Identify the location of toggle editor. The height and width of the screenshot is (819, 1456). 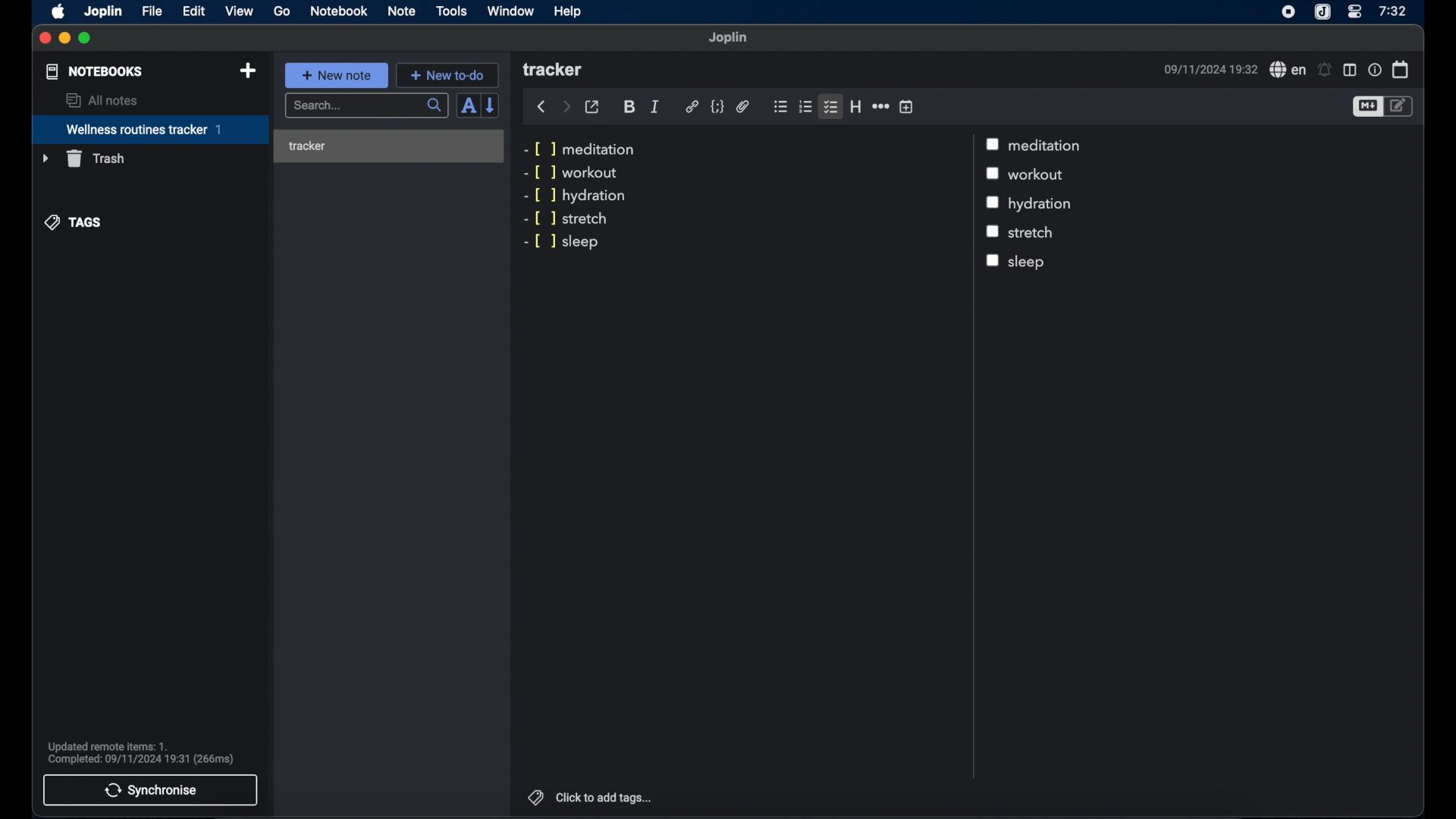
(1401, 107).